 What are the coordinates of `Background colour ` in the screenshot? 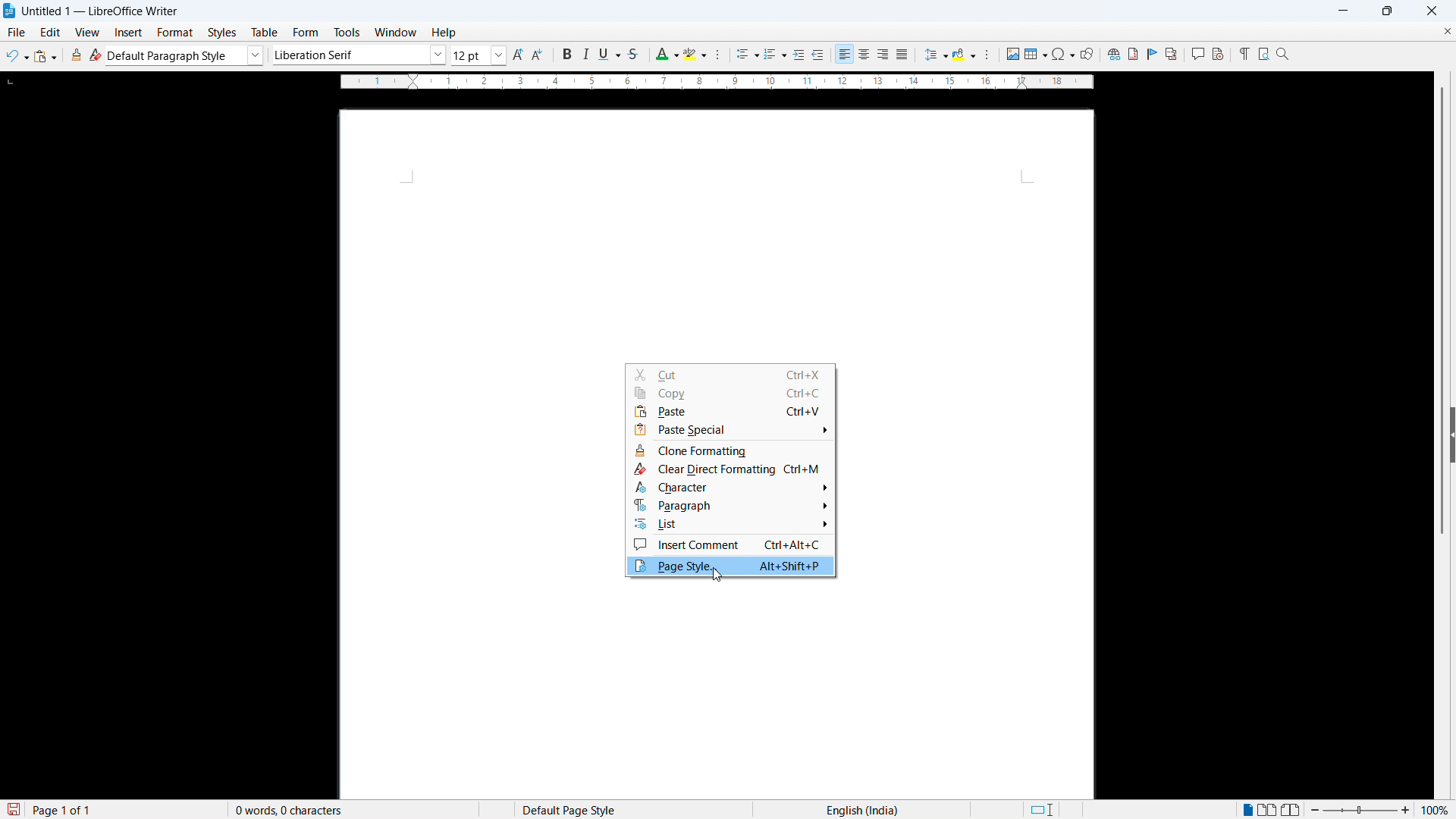 It's located at (965, 55).